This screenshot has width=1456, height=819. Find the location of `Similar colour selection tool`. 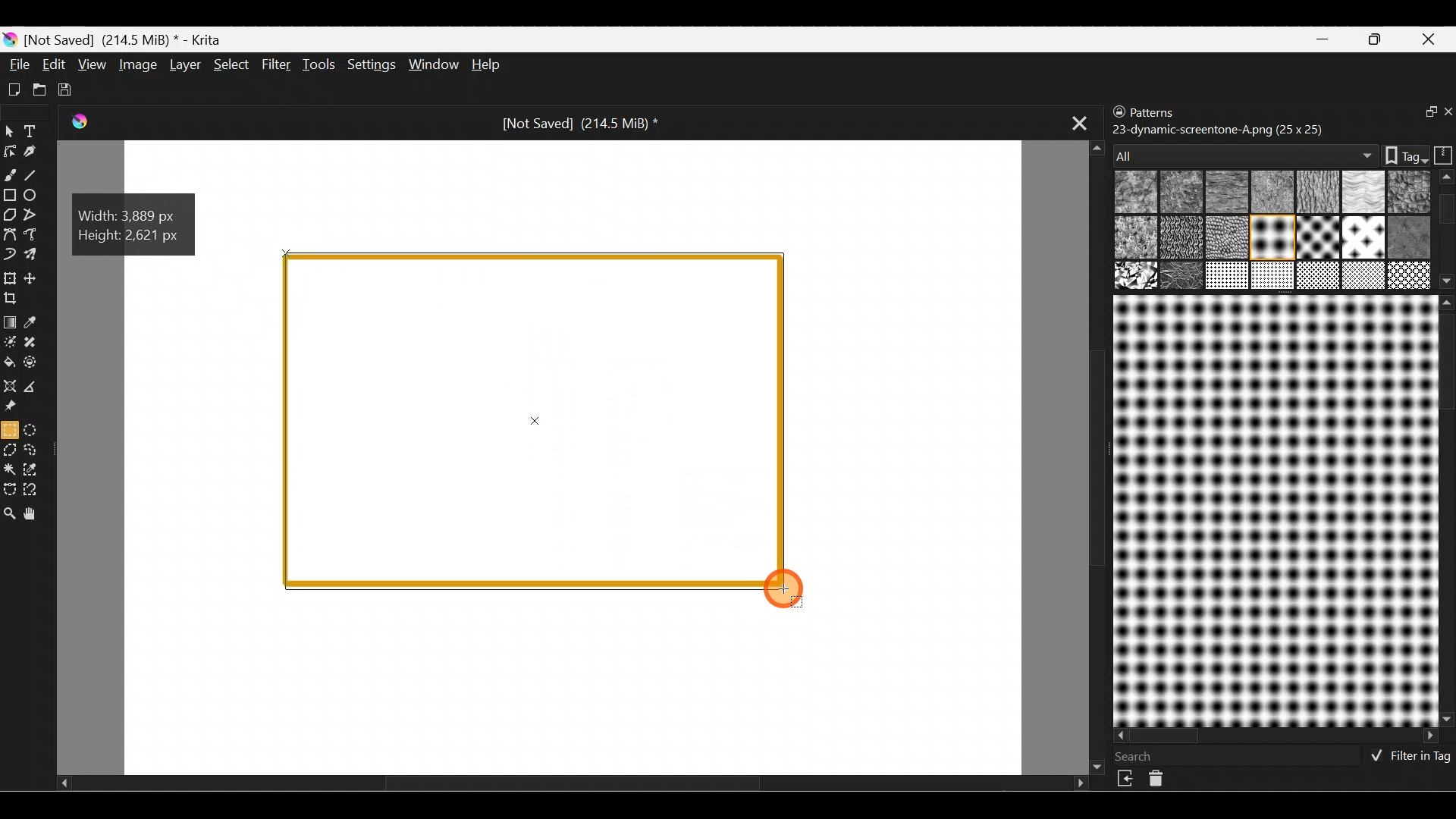

Similar colour selection tool is located at coordinates (36, 472).